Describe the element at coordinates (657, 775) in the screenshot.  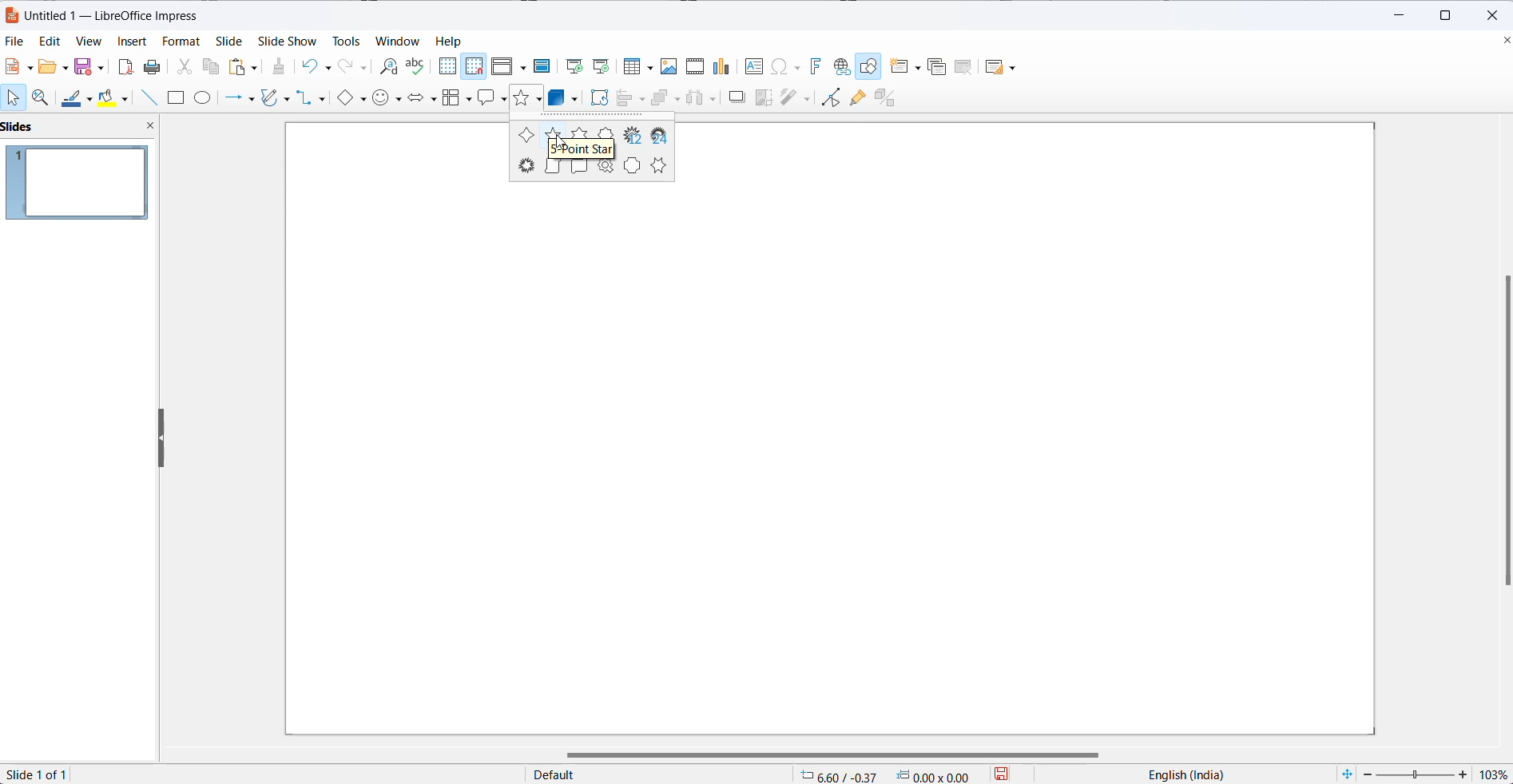
I see `page type` at that location.